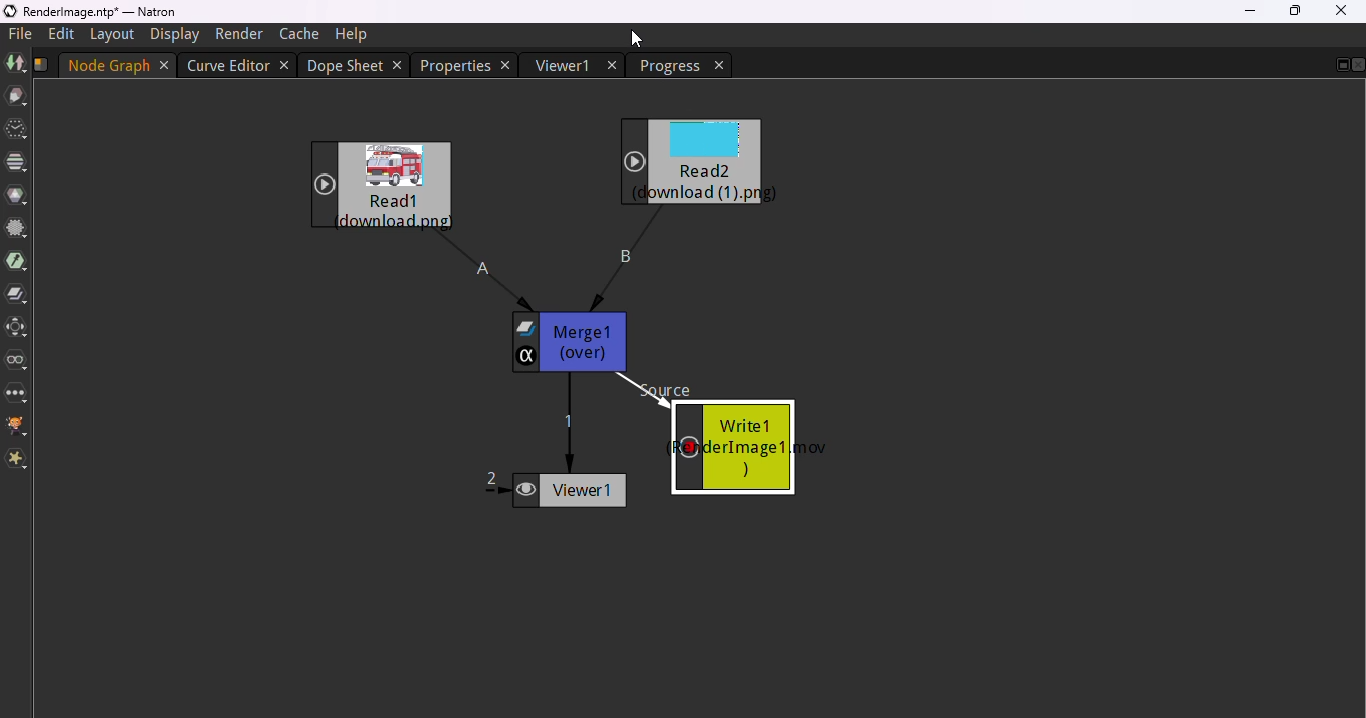 This screenshot has height=718, width=1366. Describe the element at coordinates (621, 260) in the screenshot. I see `connector B` at that location.